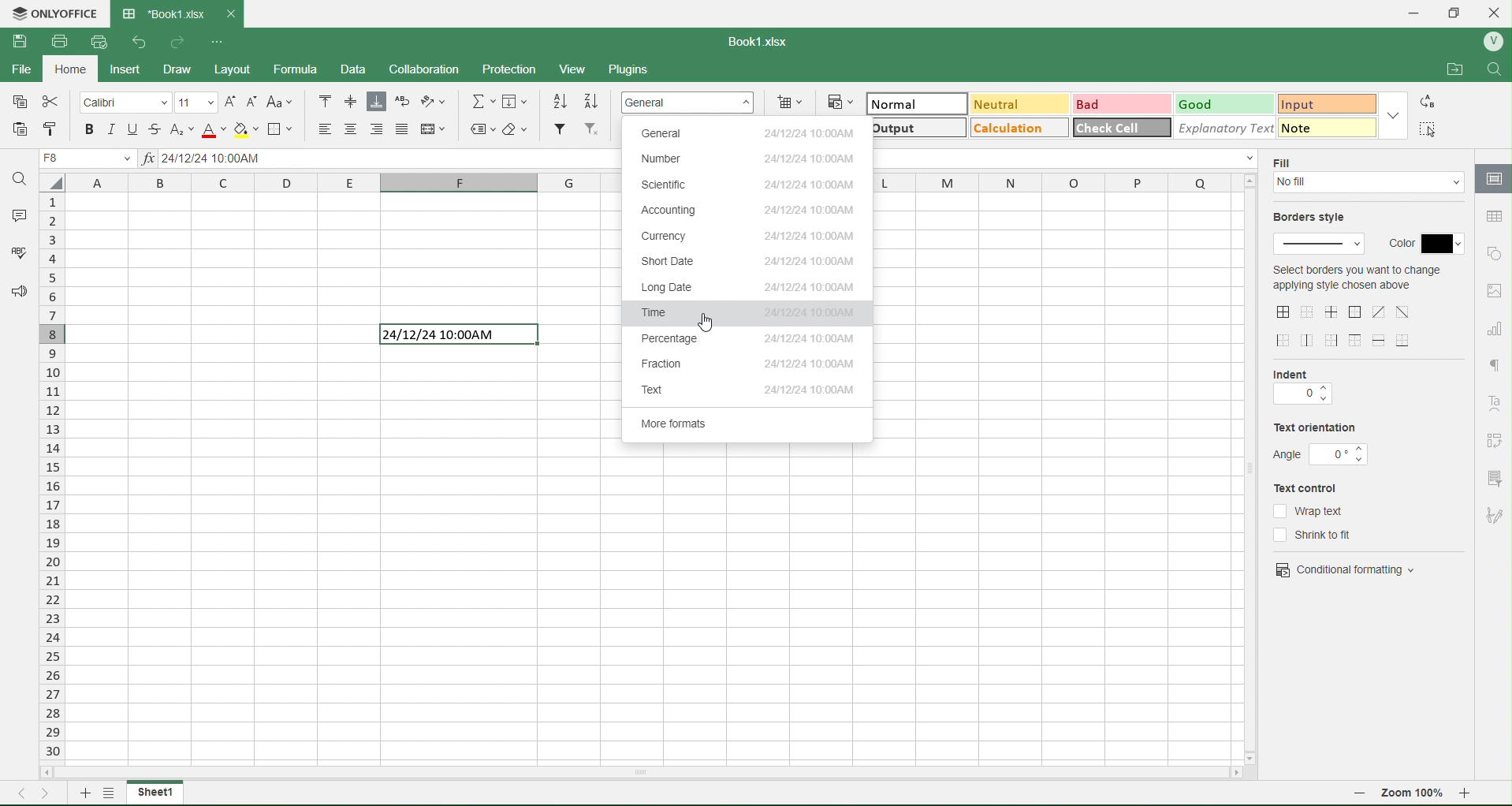 The width and height of the screenshot is (1512, 806). I want to click on Long Date, so click(743, 287).